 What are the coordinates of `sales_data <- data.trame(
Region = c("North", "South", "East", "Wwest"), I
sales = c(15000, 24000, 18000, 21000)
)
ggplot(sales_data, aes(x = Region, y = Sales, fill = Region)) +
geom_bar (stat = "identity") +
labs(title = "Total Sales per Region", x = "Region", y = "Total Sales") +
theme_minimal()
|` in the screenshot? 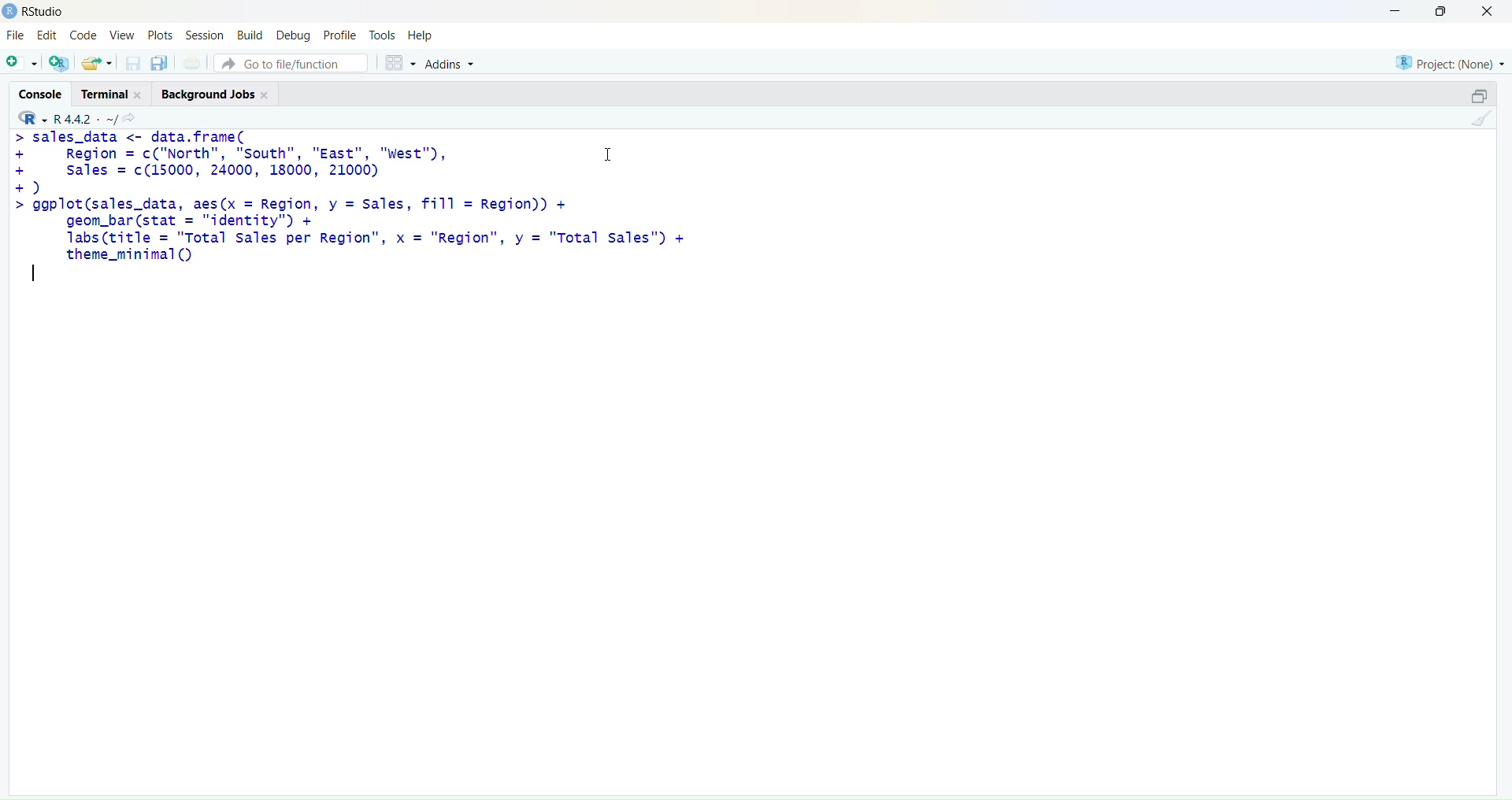 It's located at (356, 211).